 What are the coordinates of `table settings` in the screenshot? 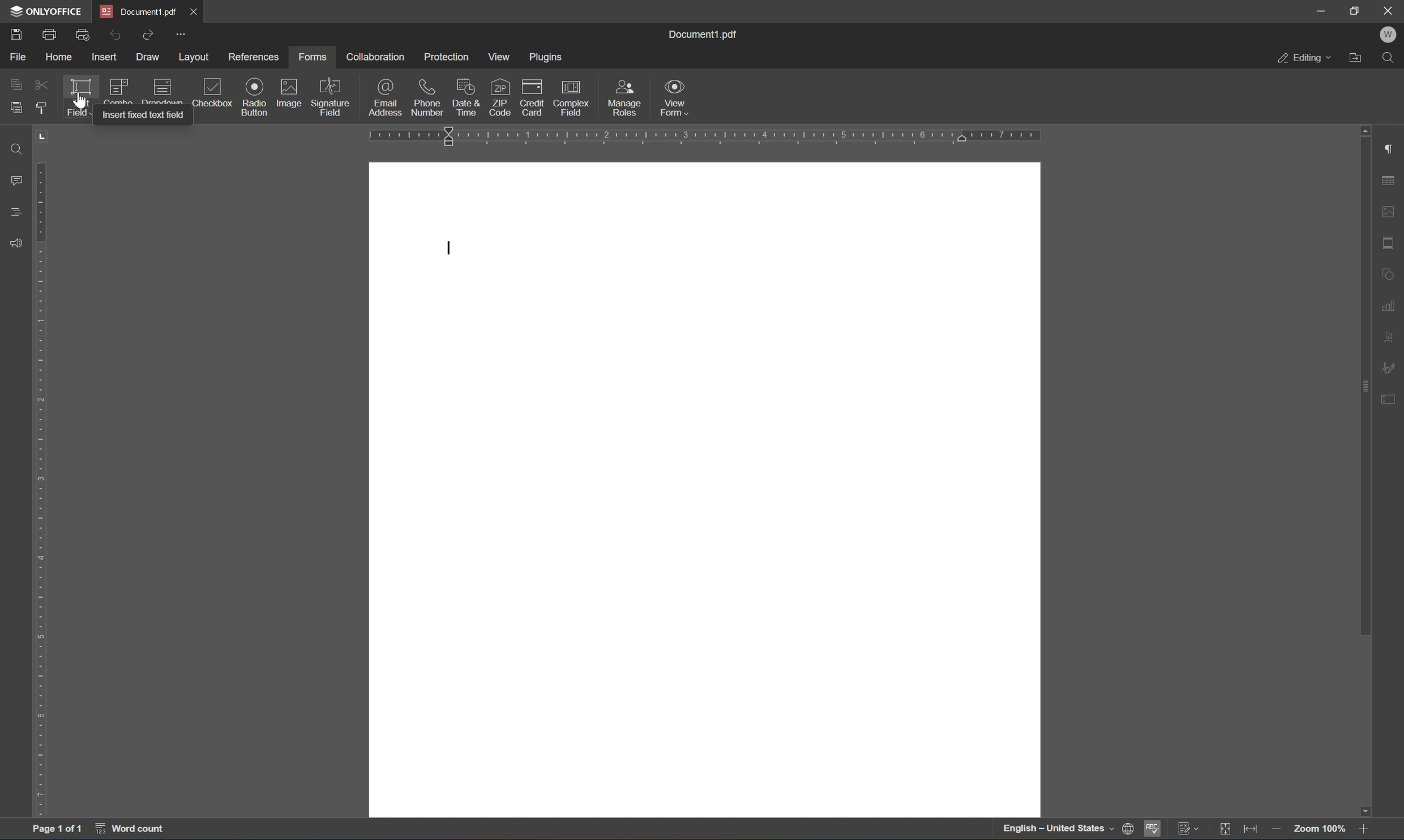 It's located at (1388, 182).